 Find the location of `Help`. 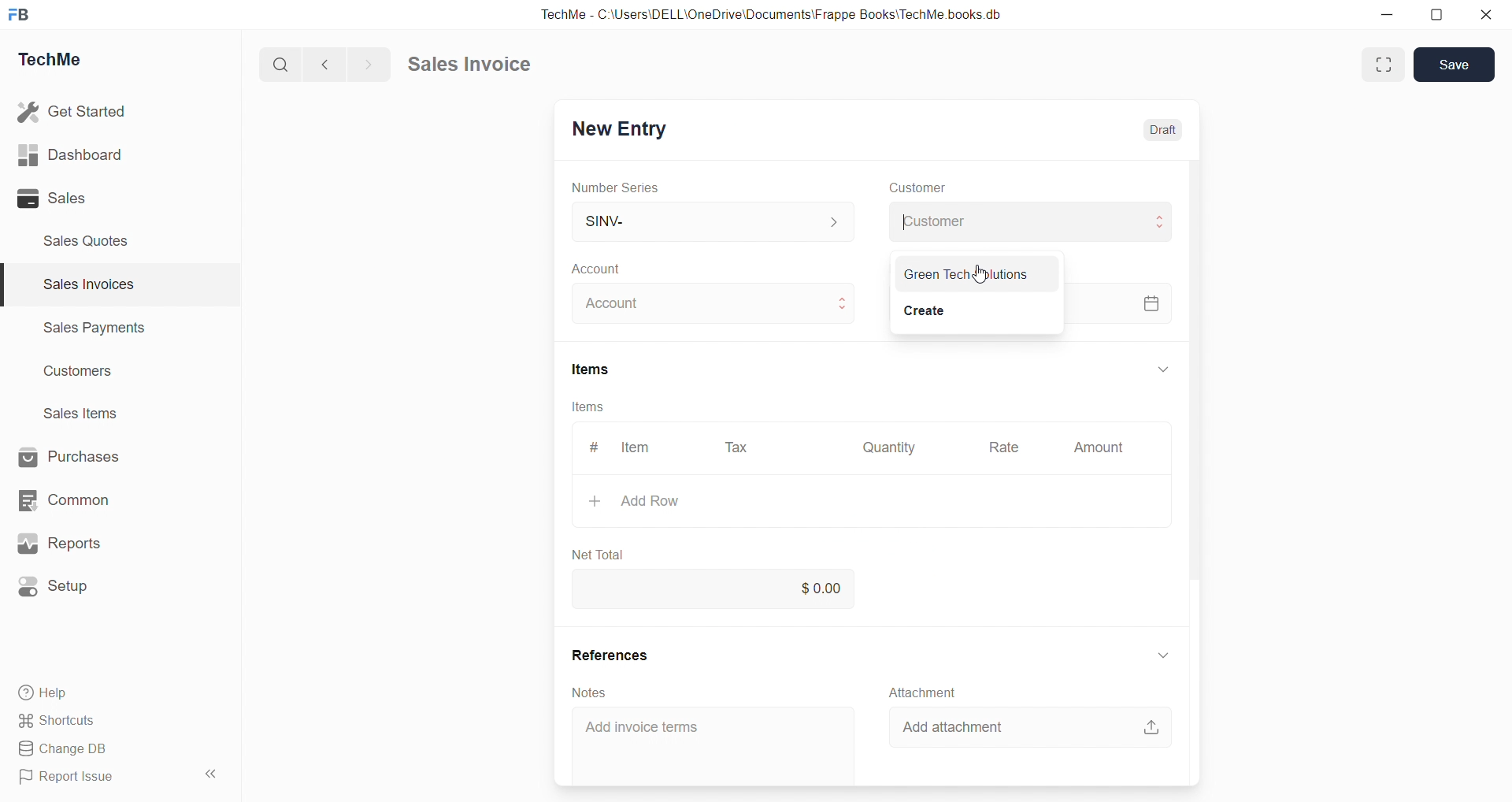

Help is located at coordinates (46, 693).